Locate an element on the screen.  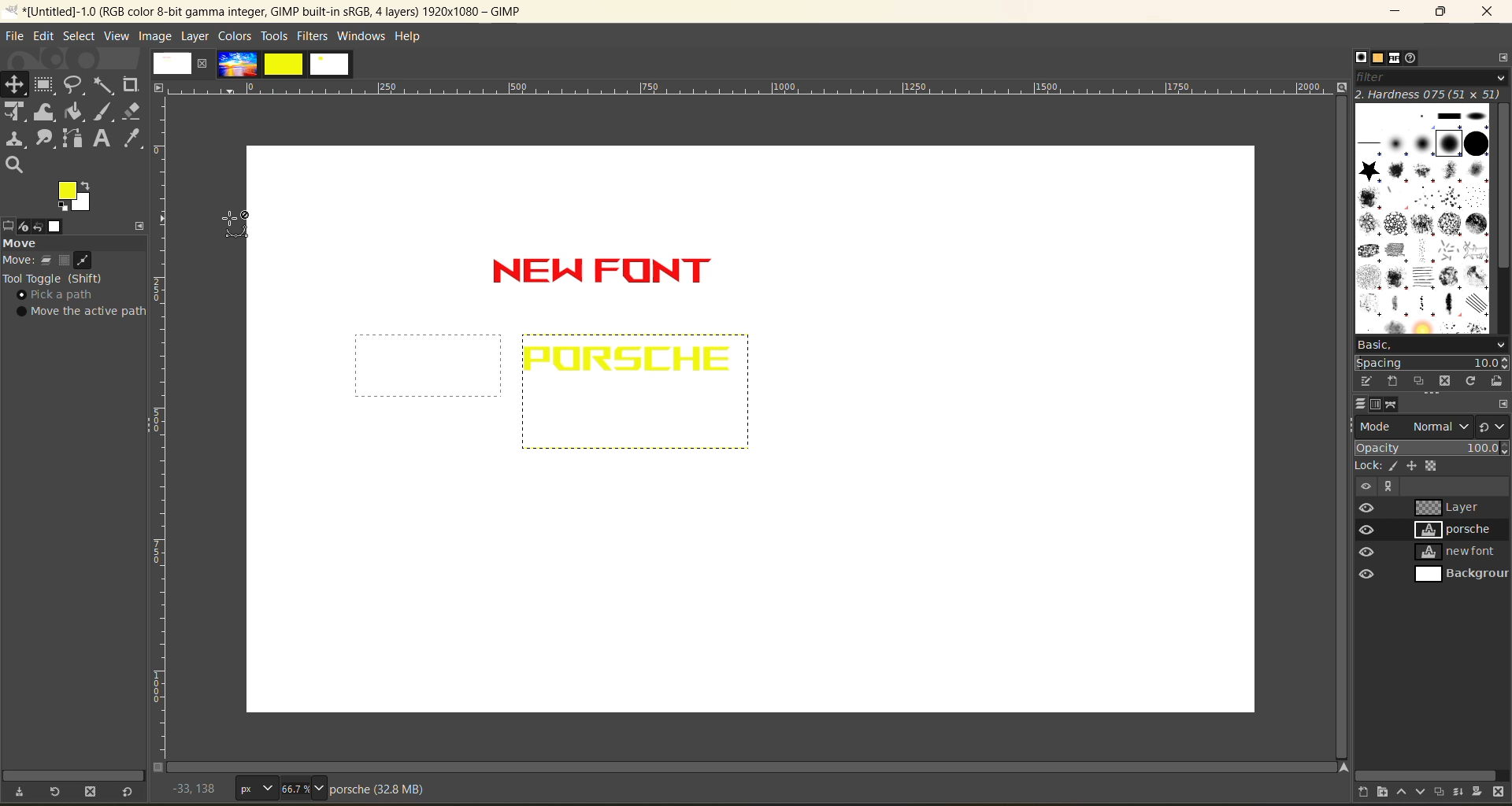
free select tool is located at coordinates (75, 86).